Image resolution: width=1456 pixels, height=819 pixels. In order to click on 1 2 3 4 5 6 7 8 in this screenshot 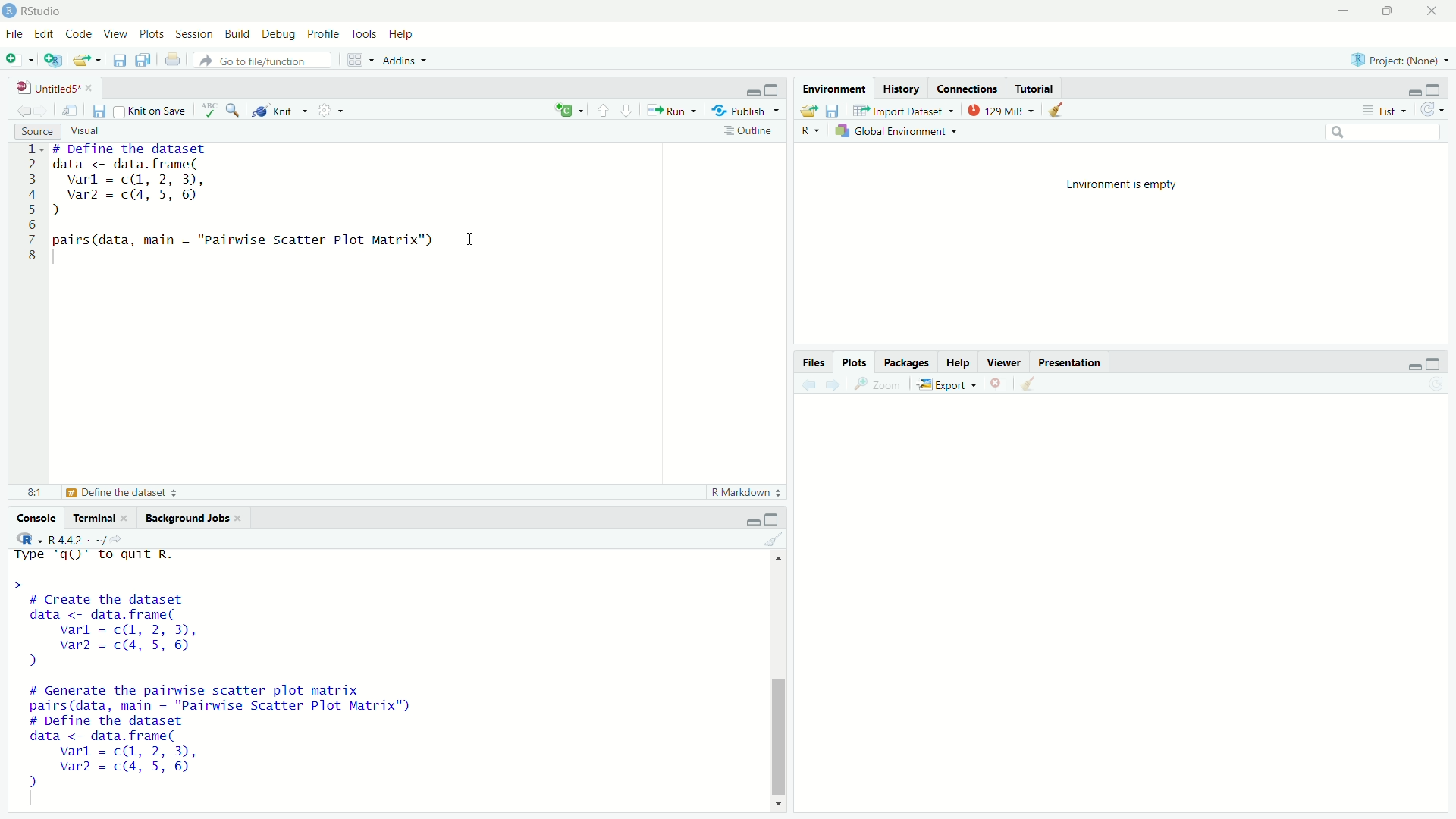, I will do `click(31, 206)`.